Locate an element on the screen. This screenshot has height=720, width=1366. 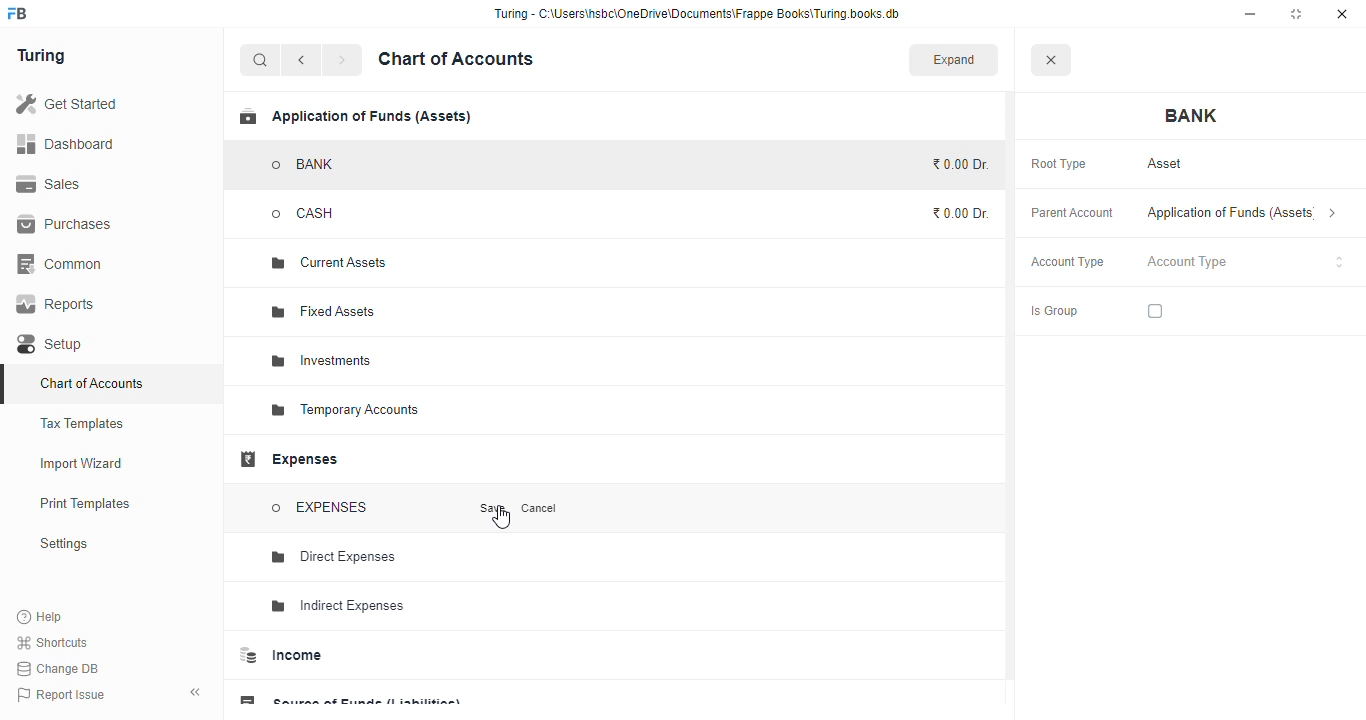
cursor is located at coordinates (501, 517).